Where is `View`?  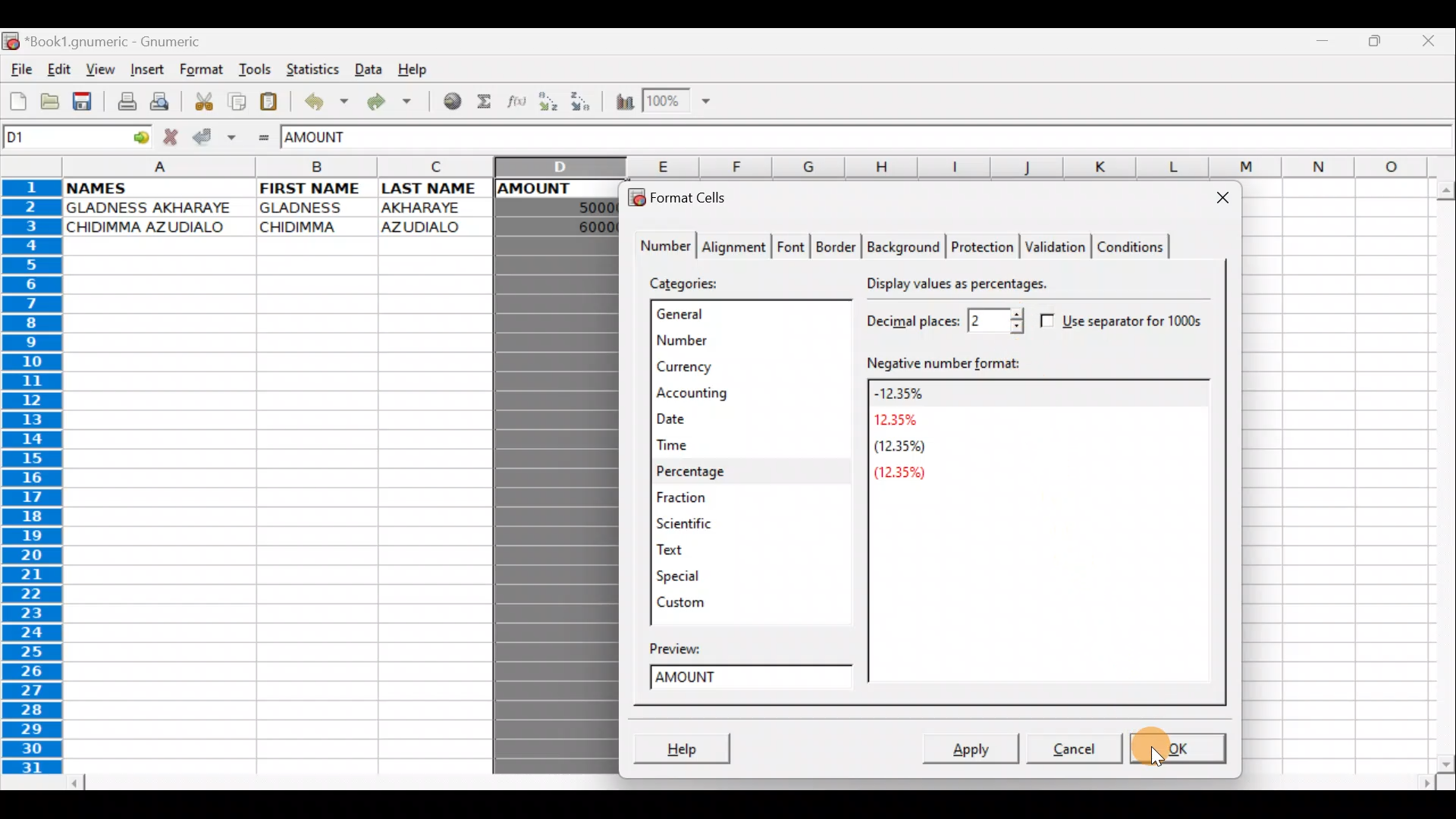 View is located at coordinates (101, 69).